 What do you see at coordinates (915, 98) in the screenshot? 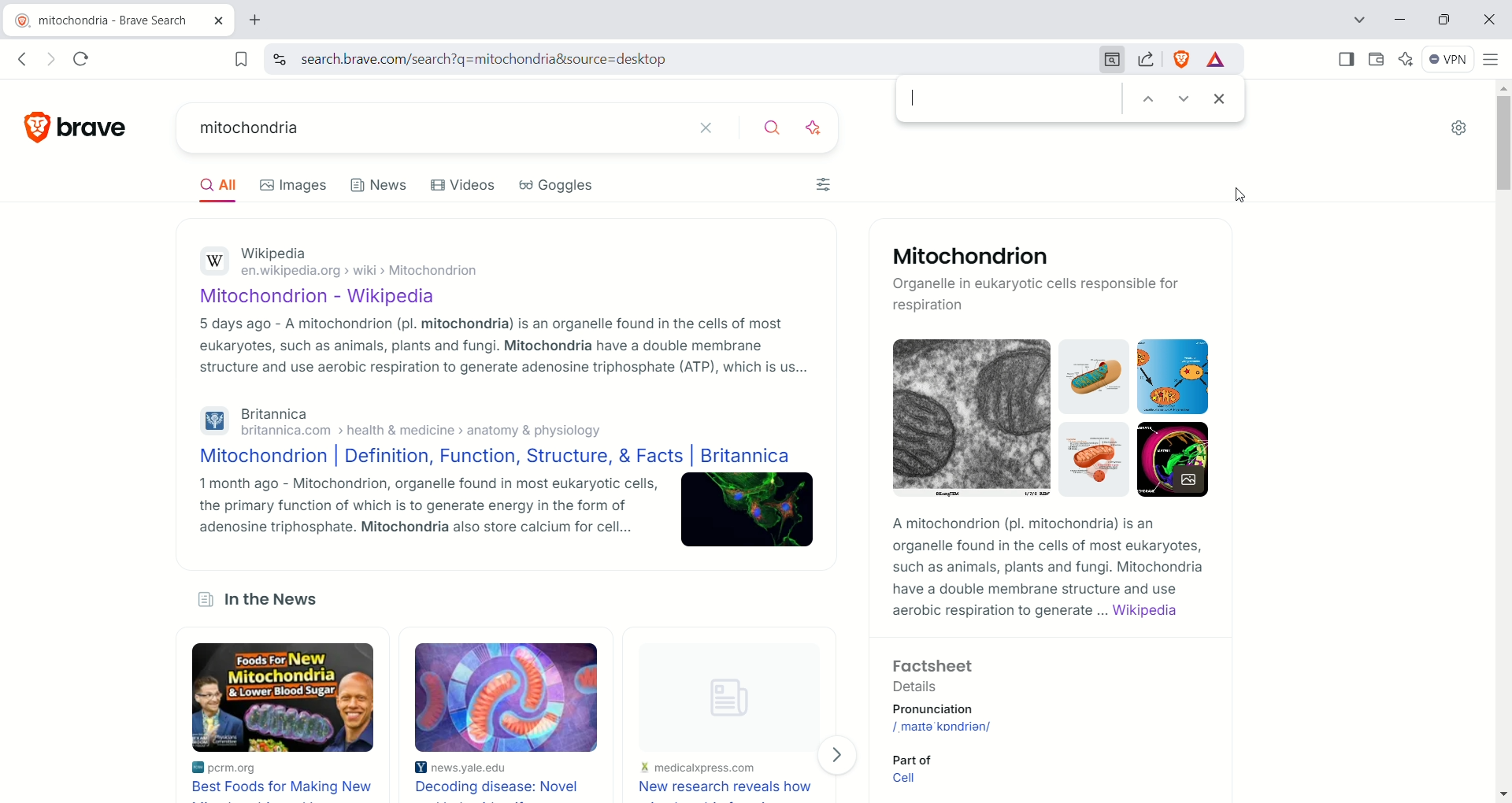
I see `cursor` at bounding box center [915, 98].